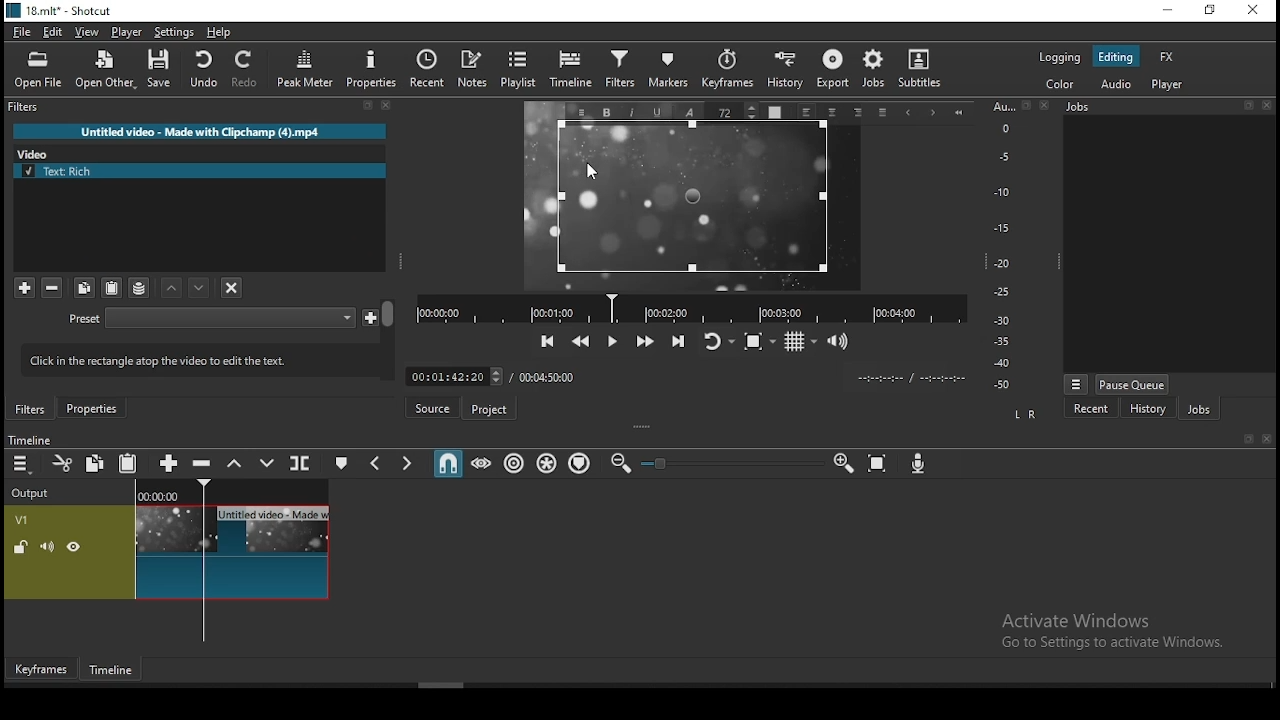  What do you see at coordinates (571, 71) in the screenshot?
I see `timeline` at bounding box center [571, 71].